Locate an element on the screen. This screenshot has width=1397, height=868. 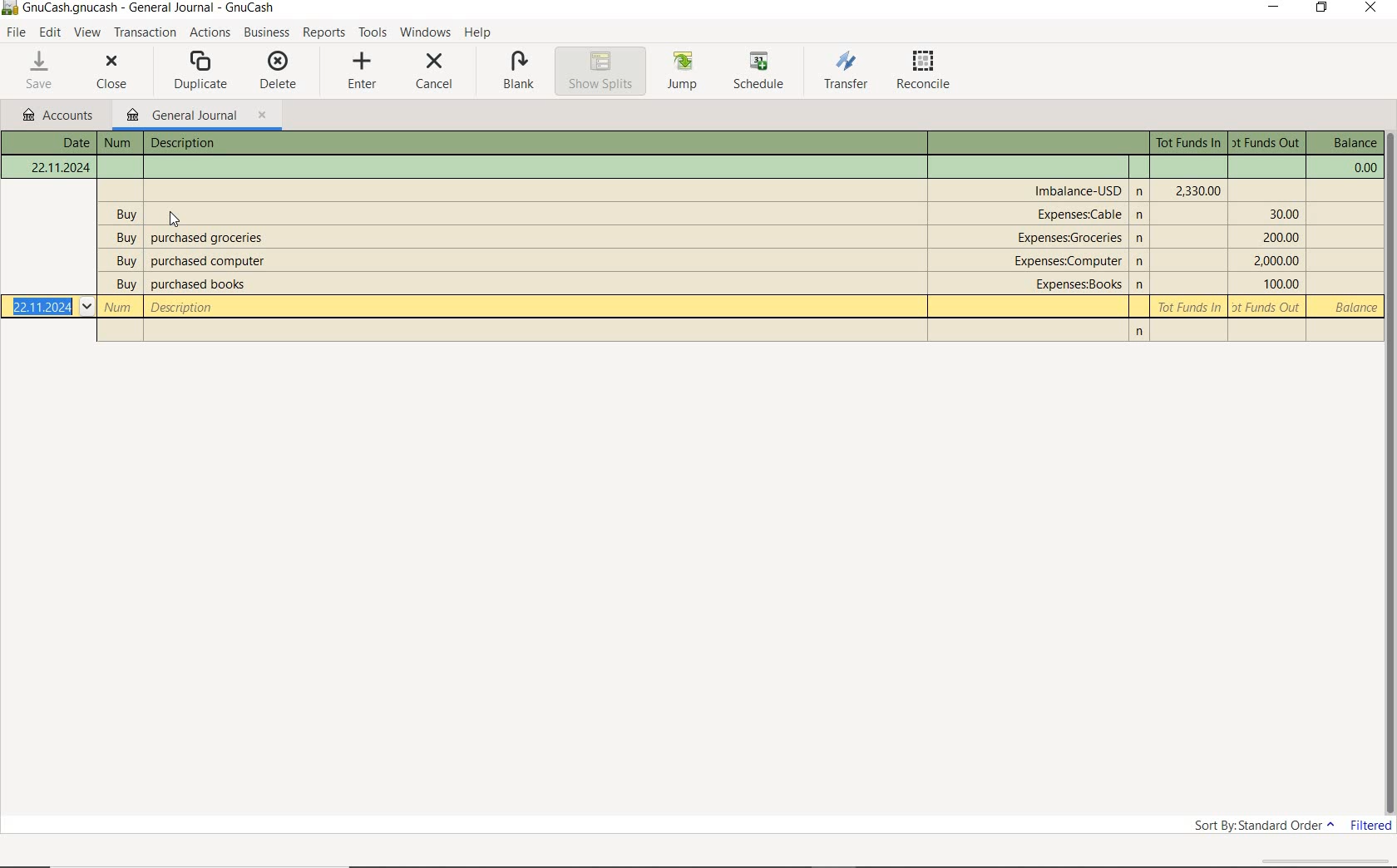
reconcile is located at coordinates (927, 73).